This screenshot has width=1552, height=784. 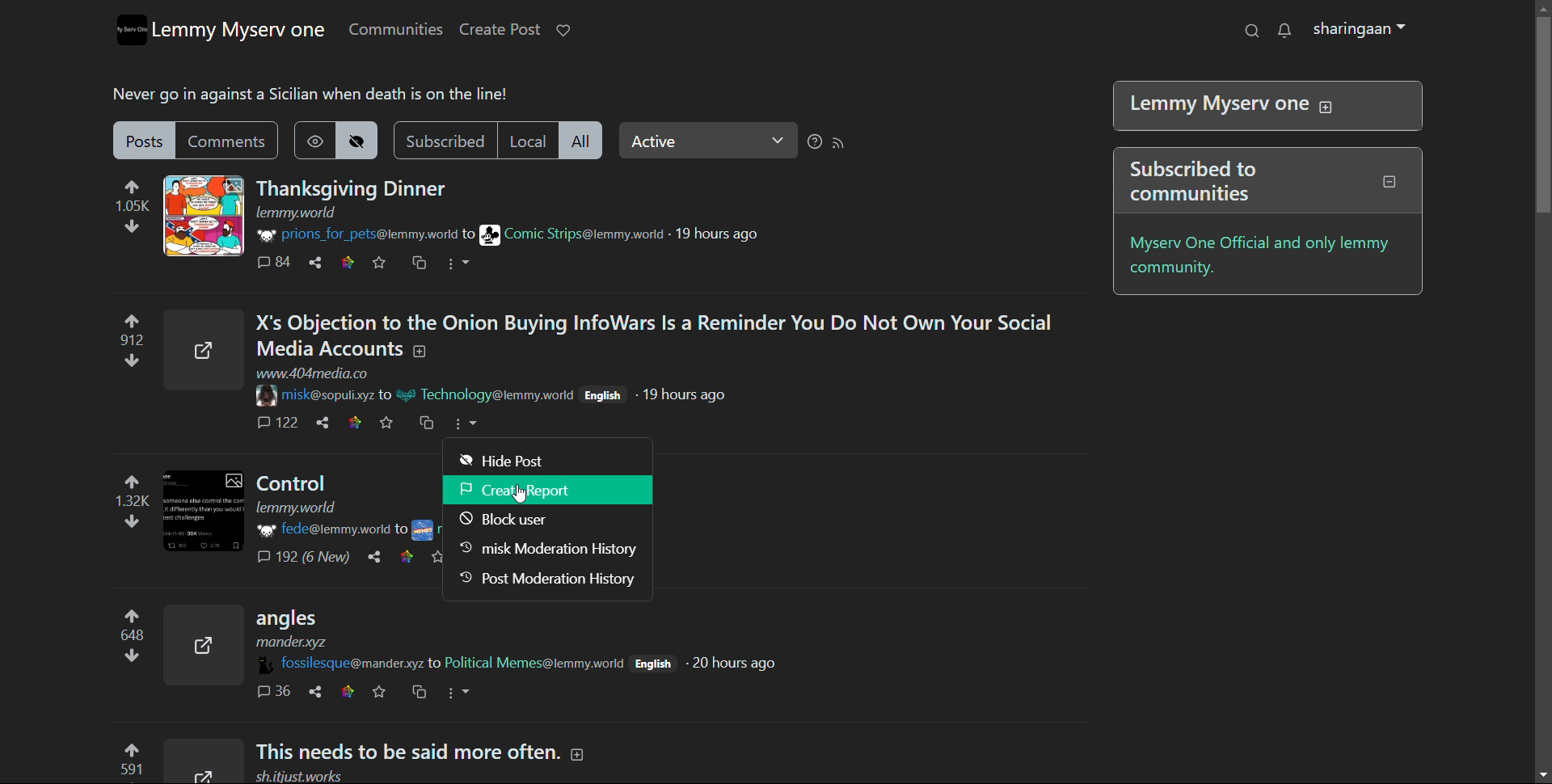 What do you see at coordinates (1263, 256) in the screenshot?
I see `myserv one official and only lemmy community` at bounding box center [1263, 256].